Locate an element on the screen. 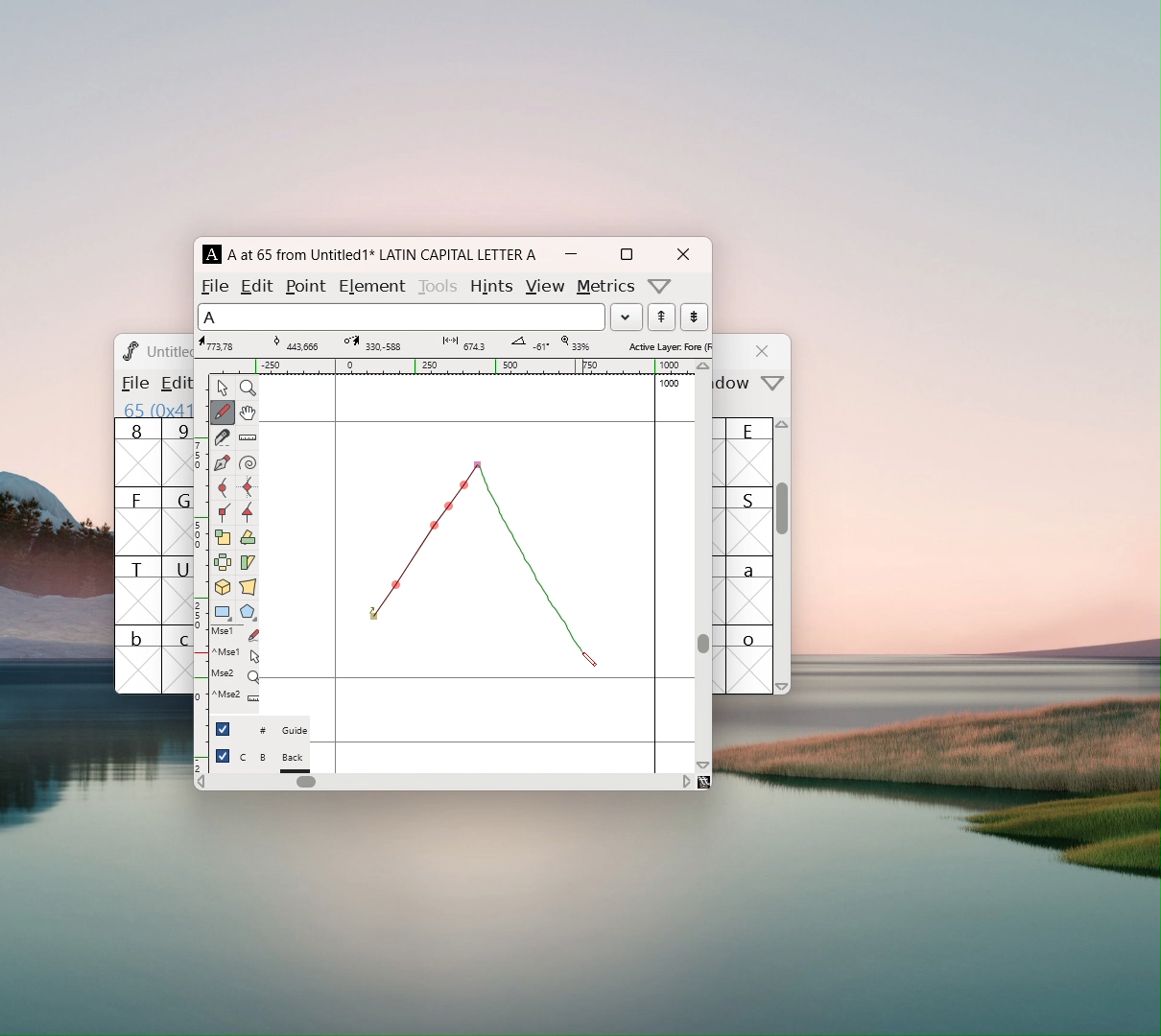  9 is located at coordinates (178, 452).